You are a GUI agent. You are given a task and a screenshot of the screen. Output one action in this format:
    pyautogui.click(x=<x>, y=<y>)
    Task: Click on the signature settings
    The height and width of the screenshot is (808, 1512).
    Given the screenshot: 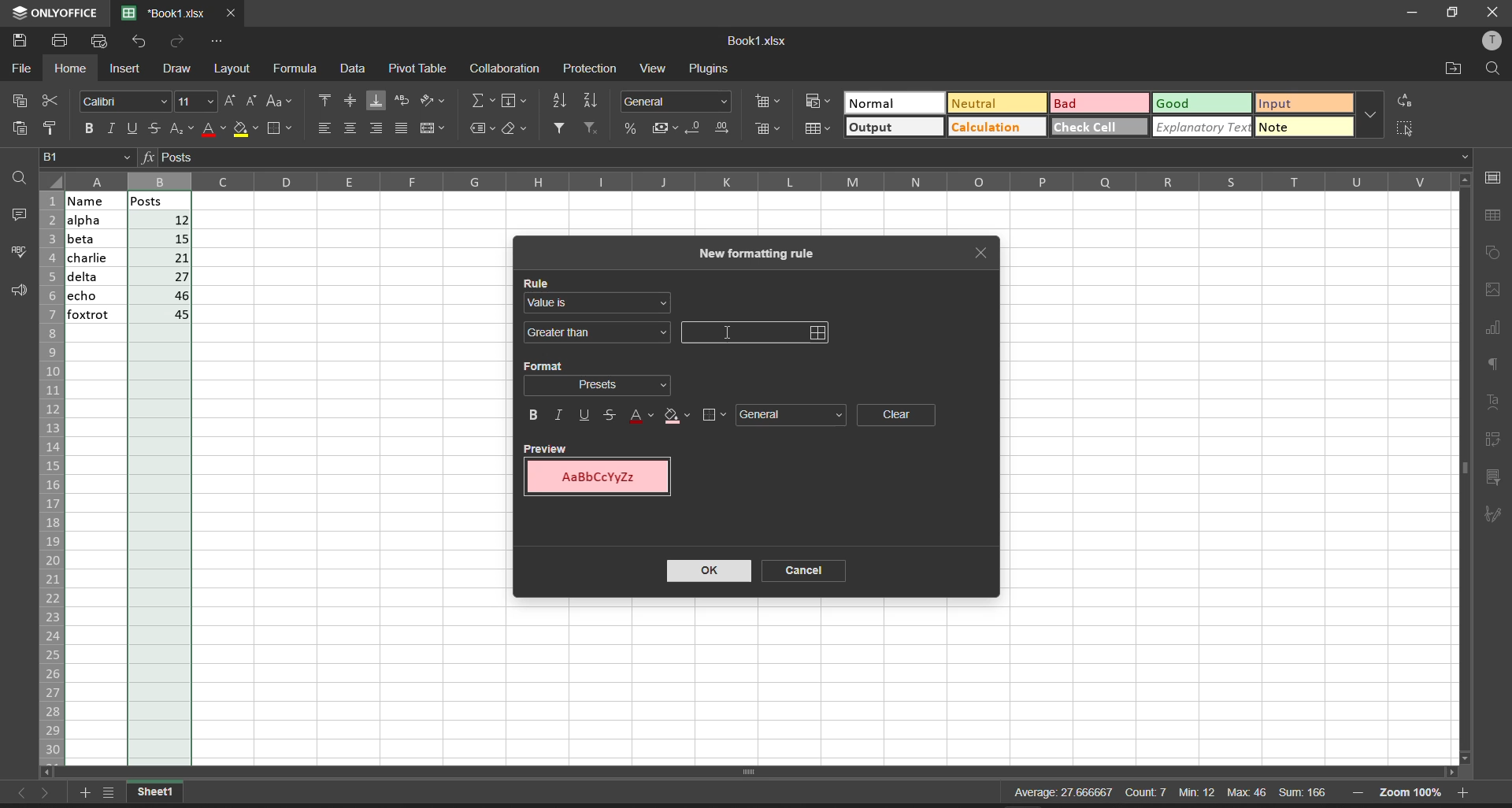 What is the action you would take?
    pyautogui.click(x=1498, y=513)
    